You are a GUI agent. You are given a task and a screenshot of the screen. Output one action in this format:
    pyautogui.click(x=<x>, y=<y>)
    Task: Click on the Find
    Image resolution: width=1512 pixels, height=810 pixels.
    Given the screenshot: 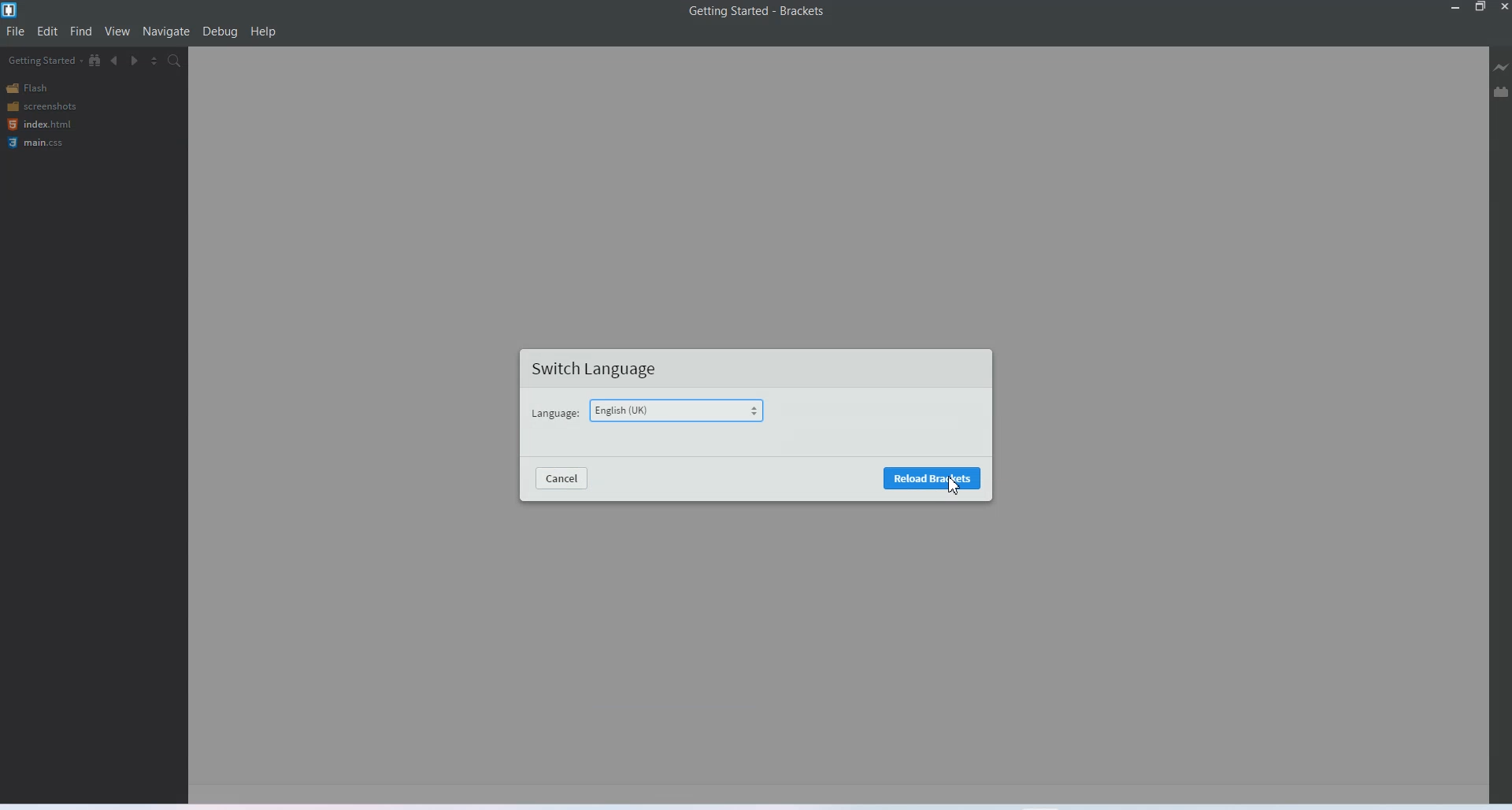 What is the action you would take?
    pyautogui.click(x=82, y=32)
    